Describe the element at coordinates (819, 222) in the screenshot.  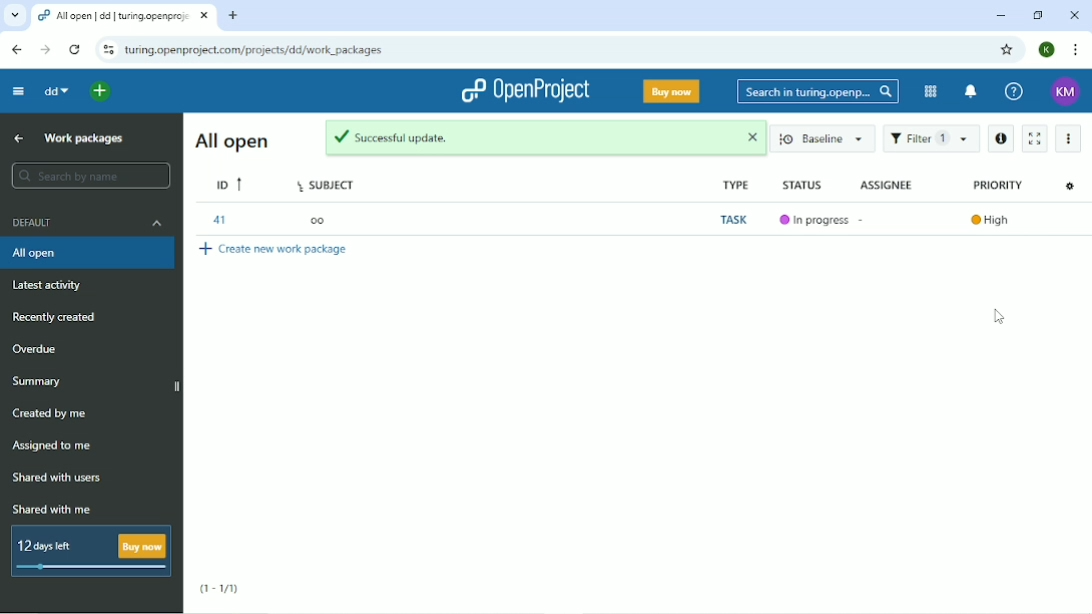
I see `In progress` at that location.